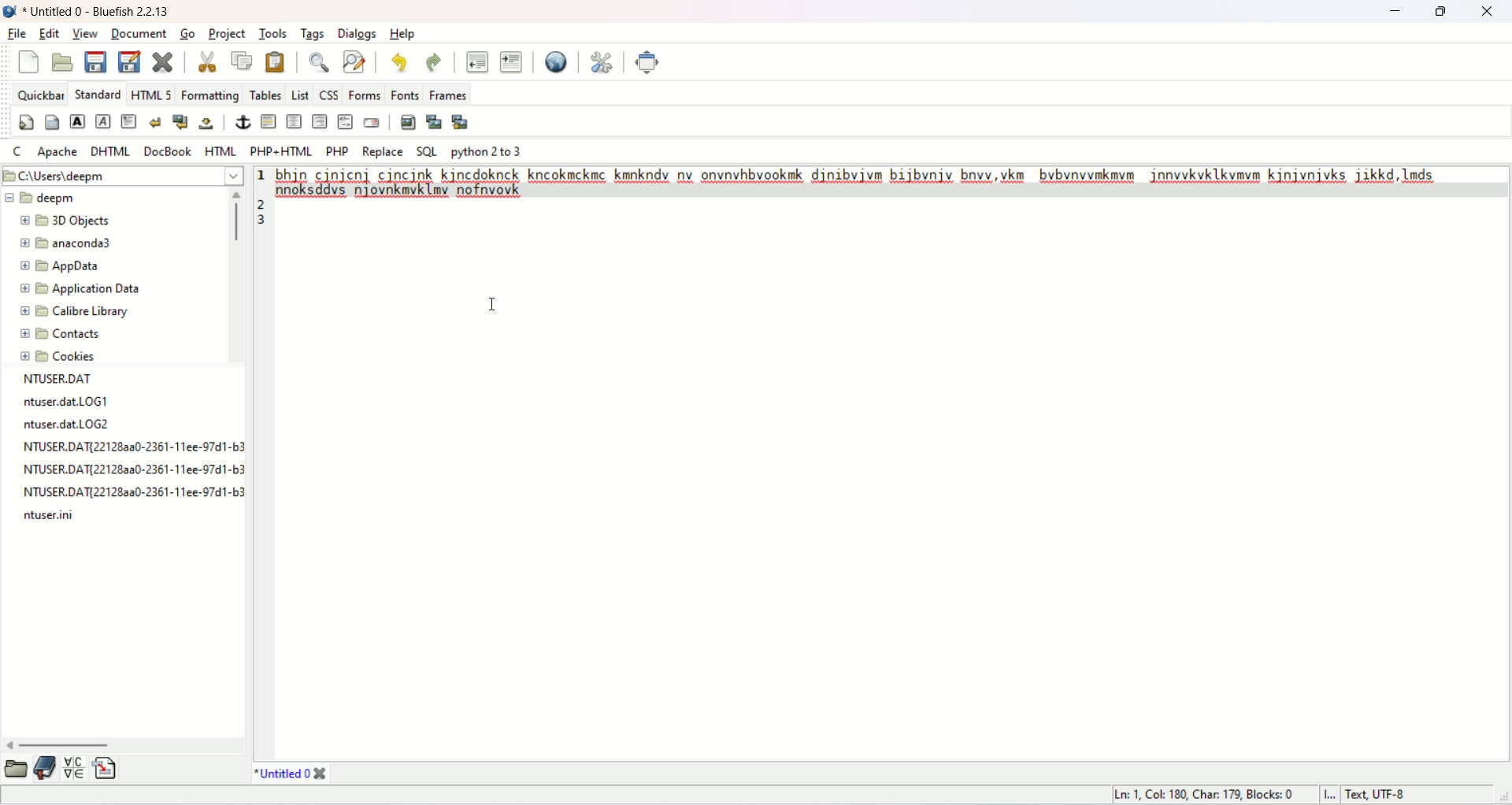 The width and height of the screenshot is (1512, 805). What do you see at coordinates (650, 61) in the screenshot?
I see `fullscreen` at bounding box center [650, 61].